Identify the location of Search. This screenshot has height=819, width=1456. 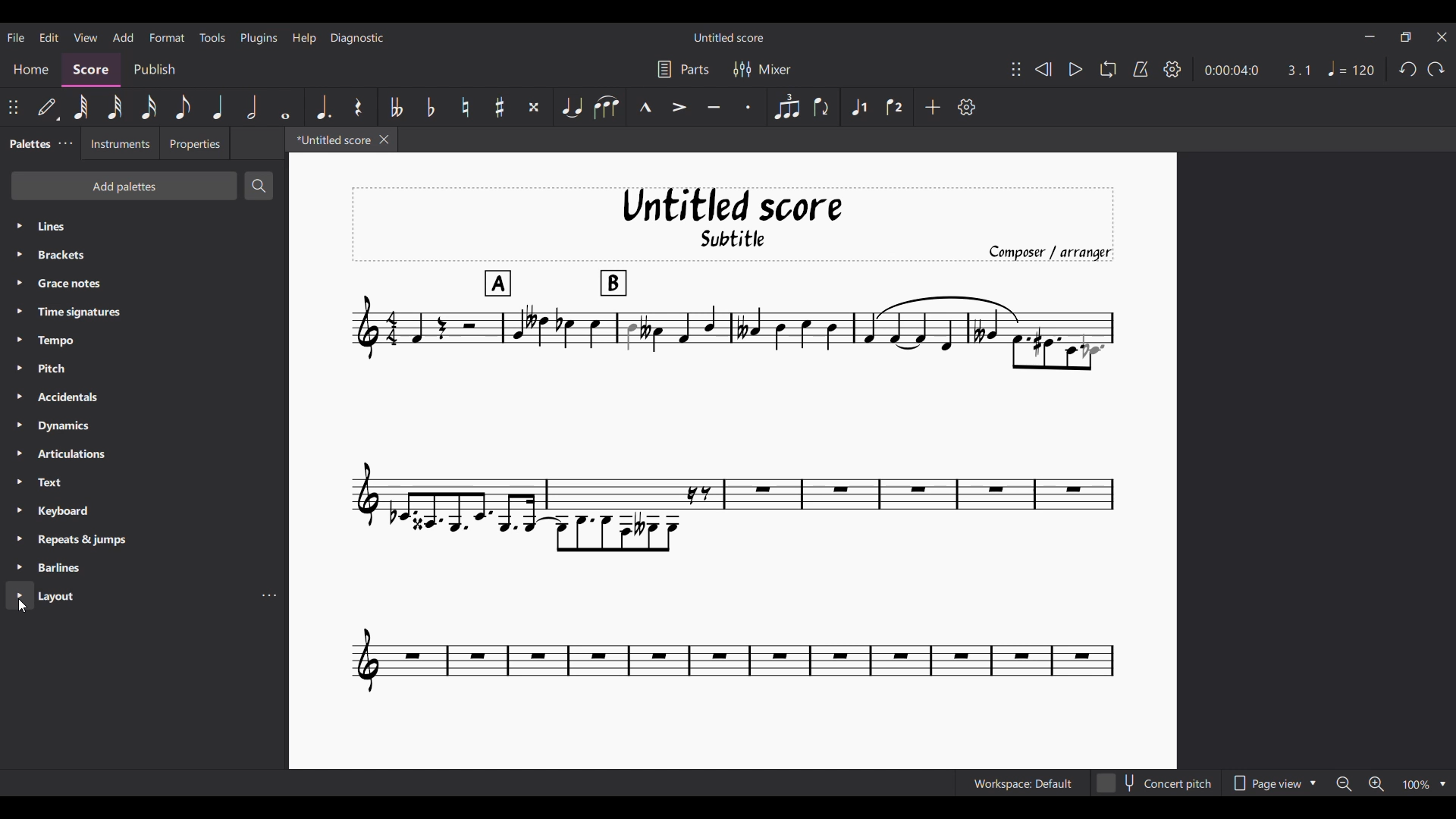
(257, 186).